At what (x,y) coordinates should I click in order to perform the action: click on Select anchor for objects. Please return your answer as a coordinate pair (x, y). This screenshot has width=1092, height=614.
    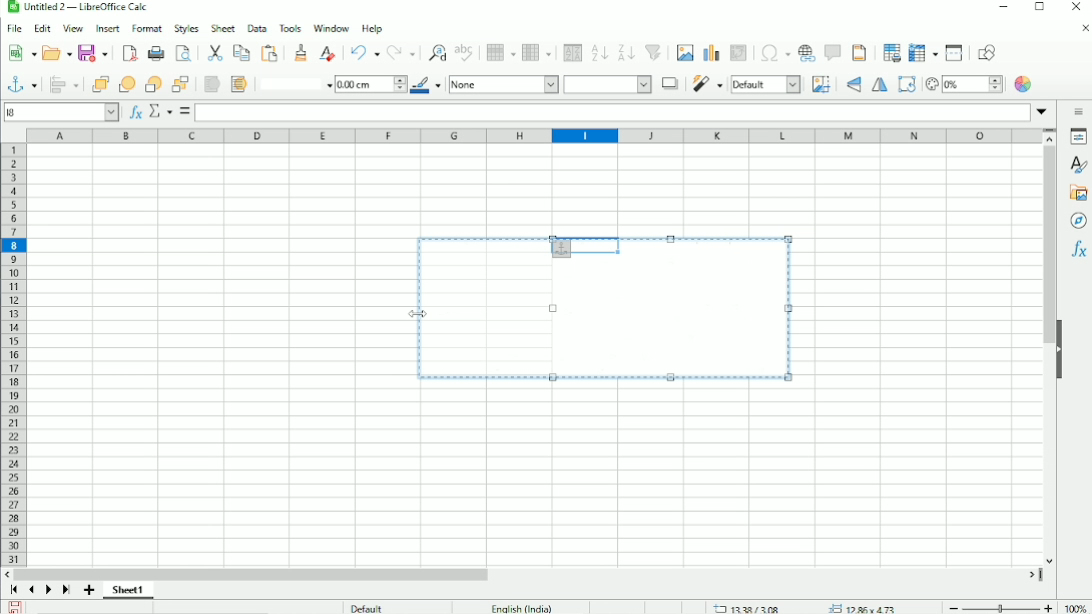
    Looking at the image, I should click on (20, 83).